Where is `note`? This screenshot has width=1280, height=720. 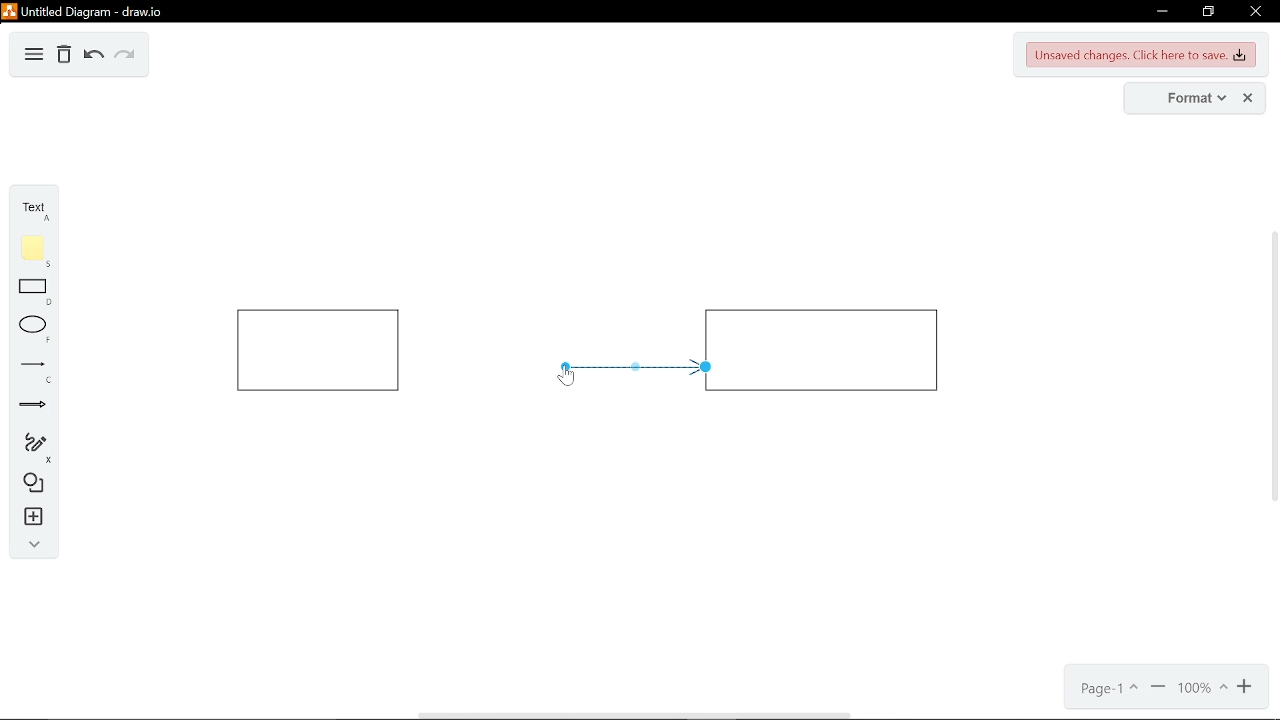 note is located at coordinates (32, 250).